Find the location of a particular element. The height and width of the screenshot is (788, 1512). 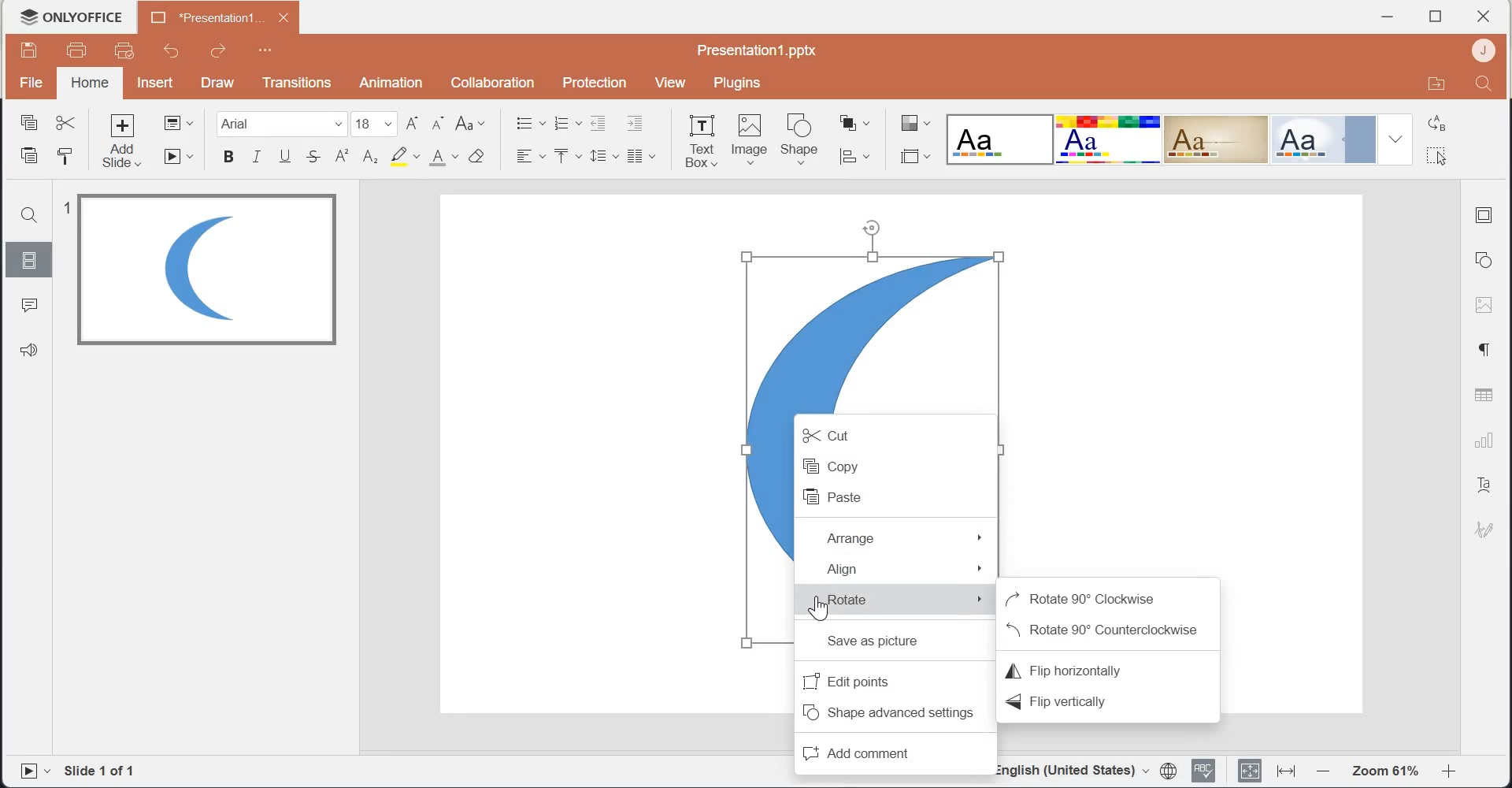

home is located at coordinates (89, 84).